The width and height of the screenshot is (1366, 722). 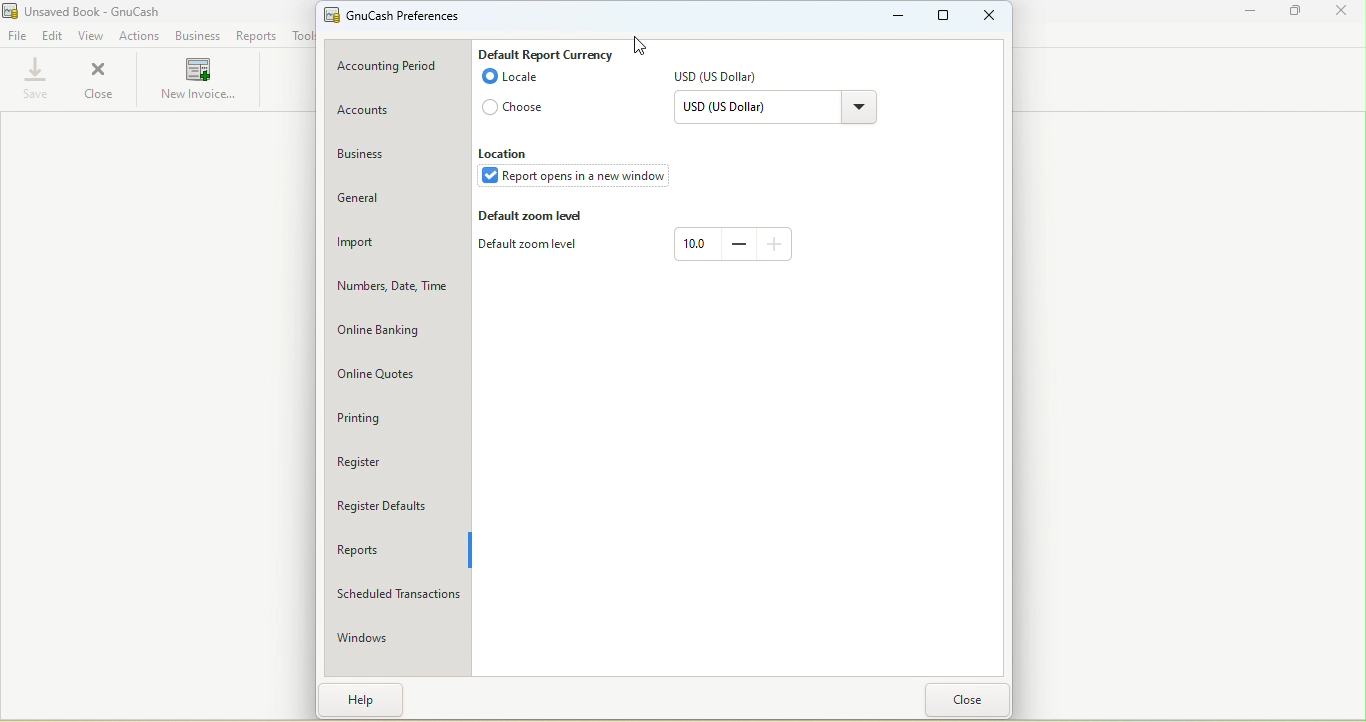 I want to click on Report opens in a new window, so click(x=580, y=178).